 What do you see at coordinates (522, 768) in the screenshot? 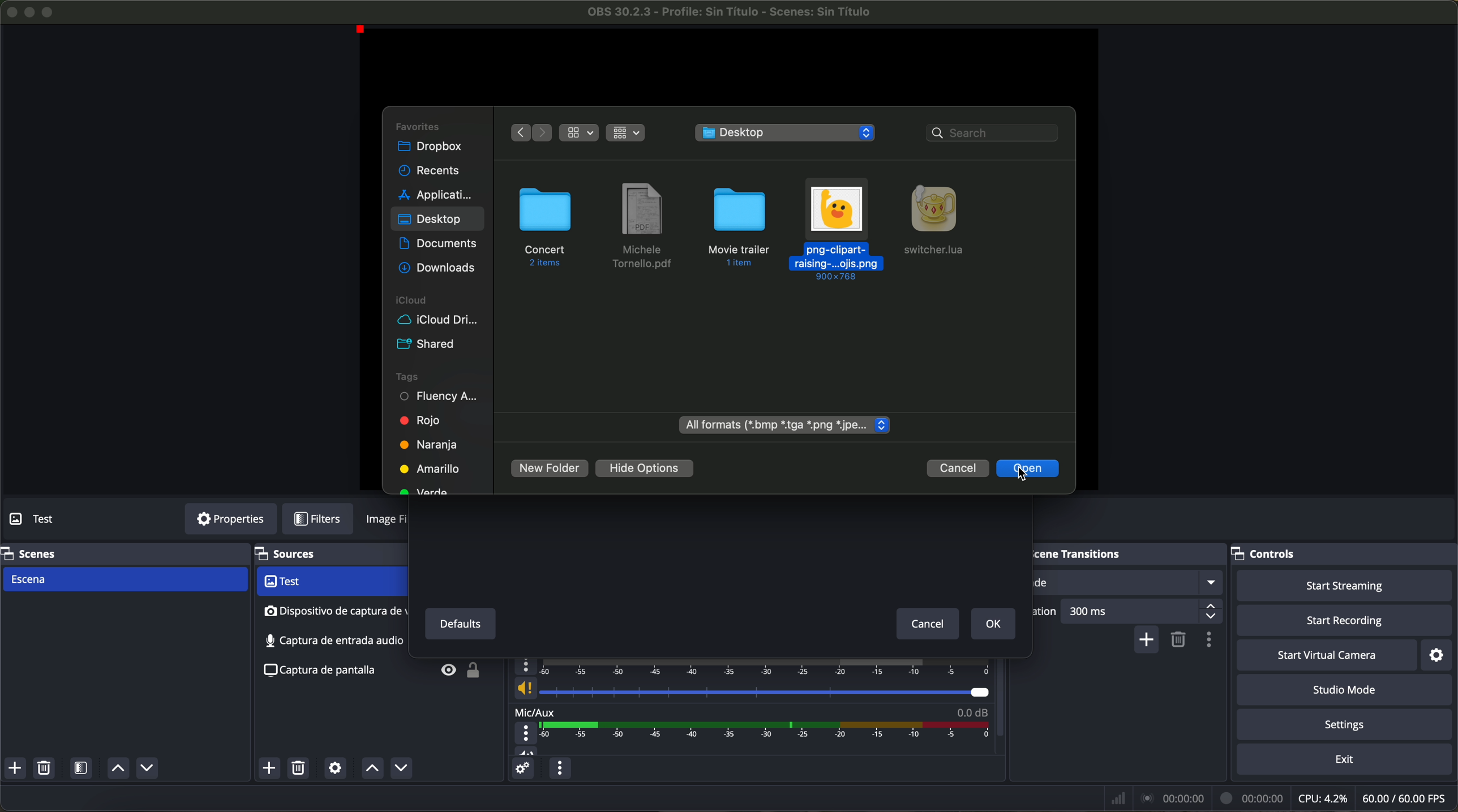
I see `advanced audio properties` at bounding box center [522, 768].